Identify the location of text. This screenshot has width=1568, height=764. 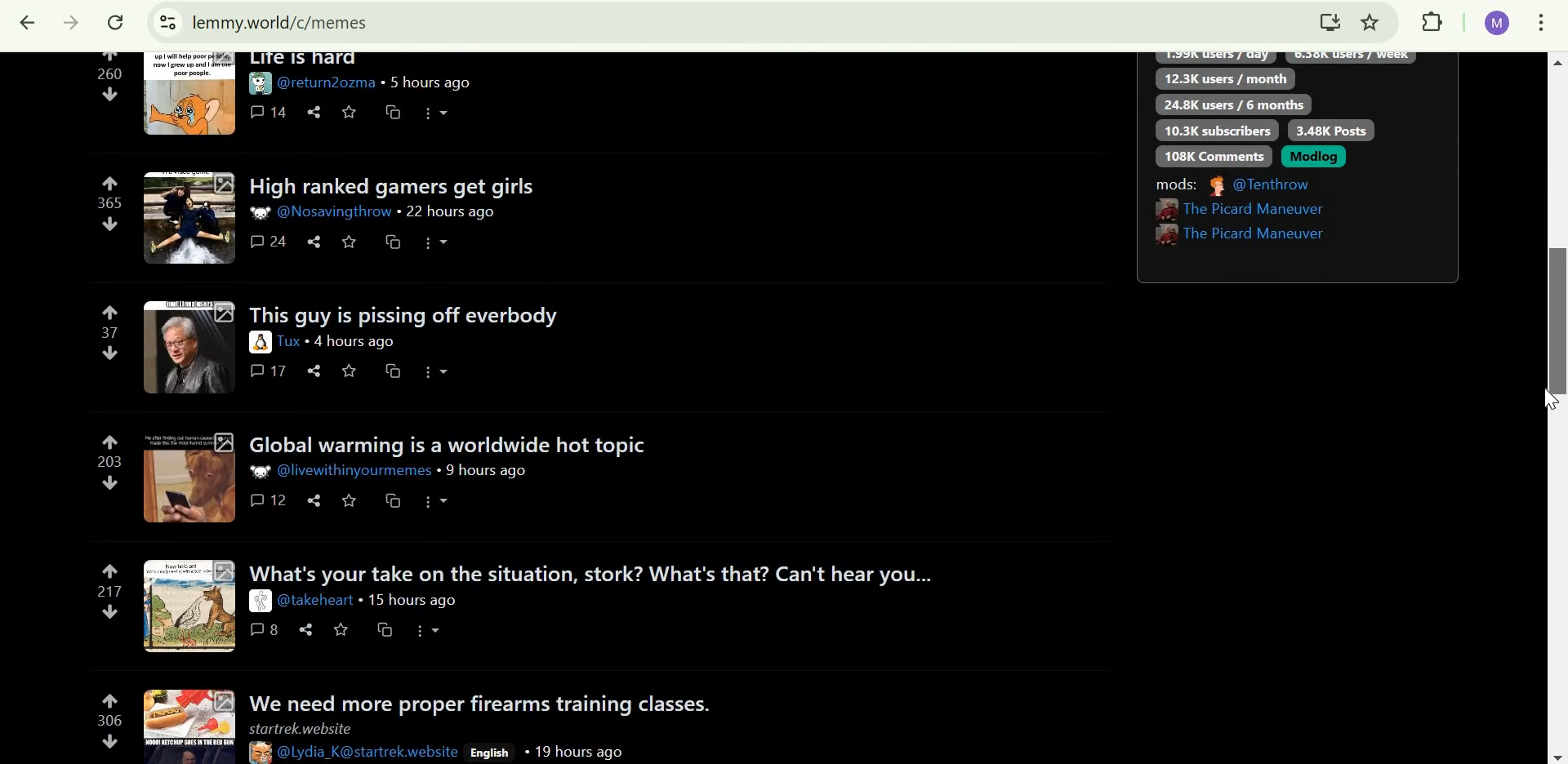
(1282, 59).